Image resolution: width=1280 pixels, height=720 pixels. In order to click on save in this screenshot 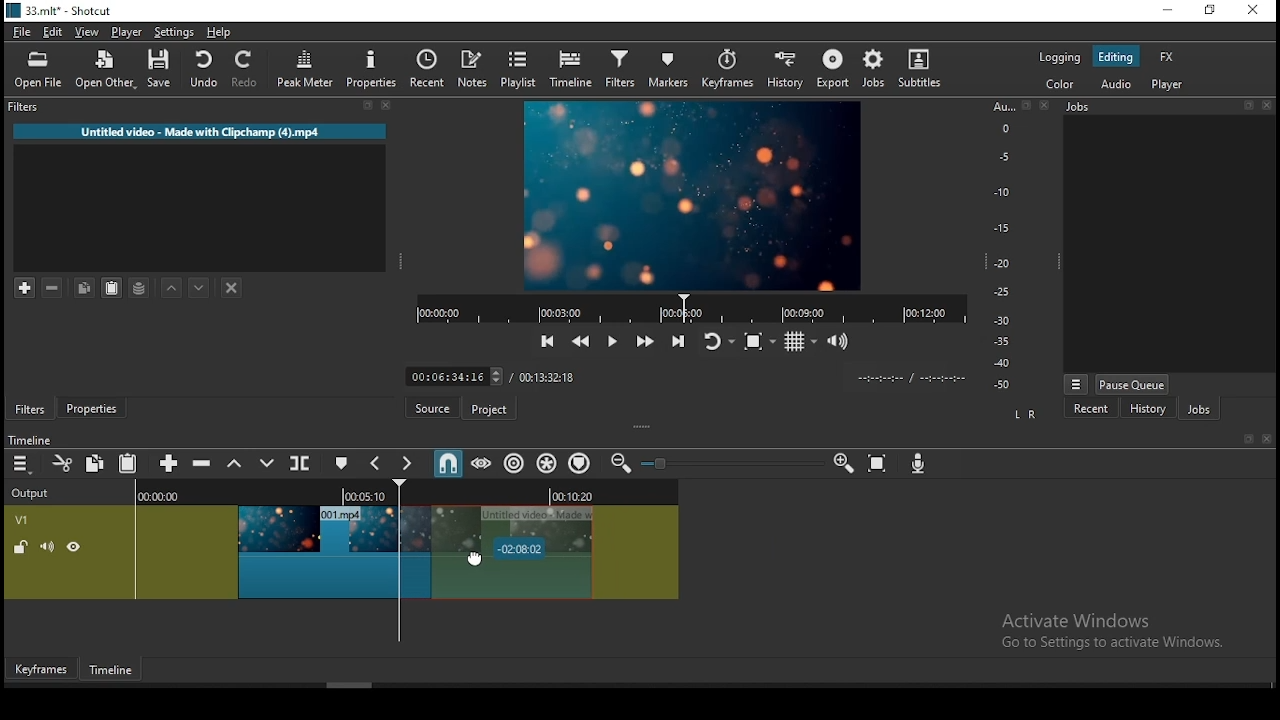, I will do `click(163, 72)`.